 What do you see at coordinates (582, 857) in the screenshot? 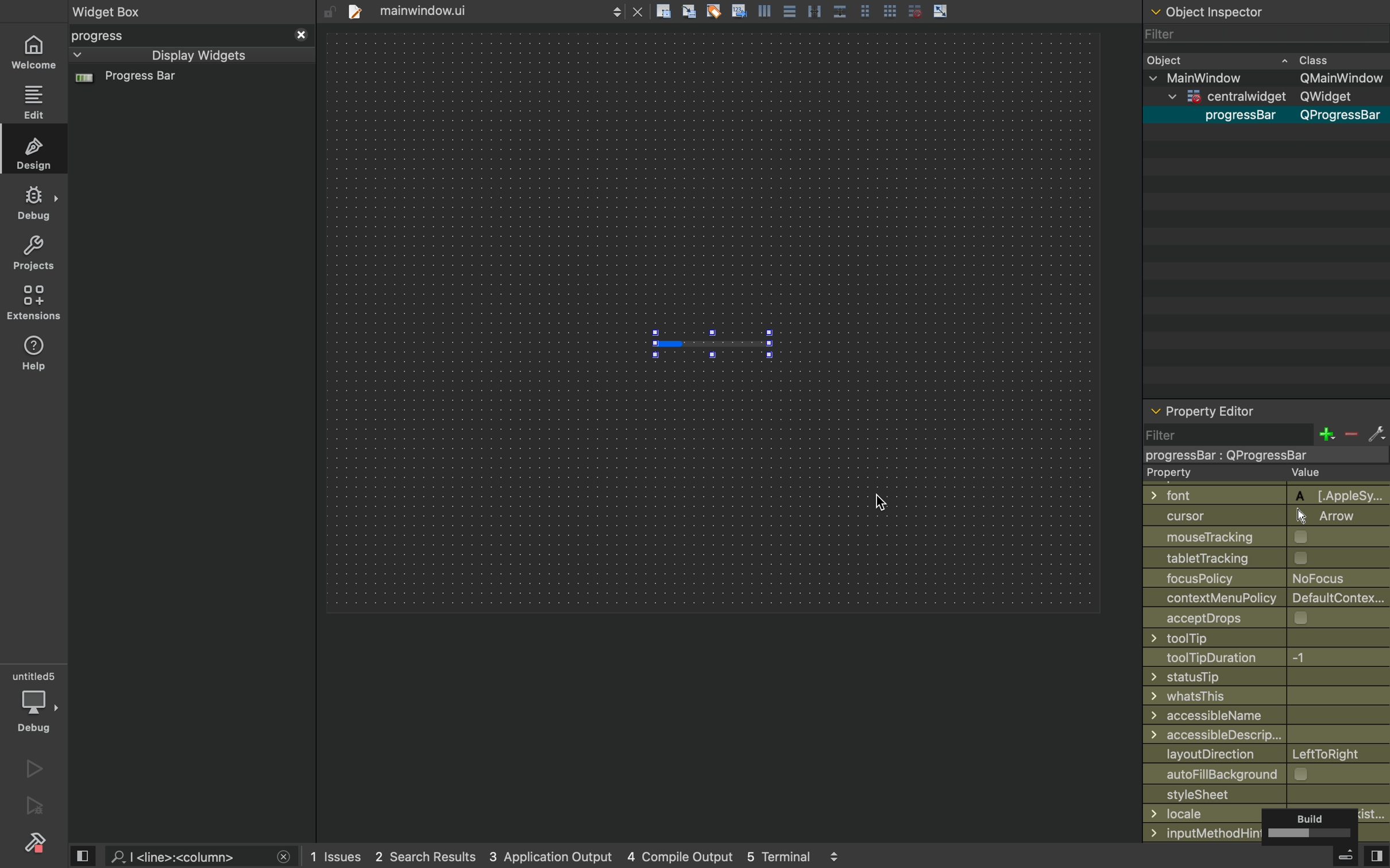
I see `logs` at bounding box center [582, 857].